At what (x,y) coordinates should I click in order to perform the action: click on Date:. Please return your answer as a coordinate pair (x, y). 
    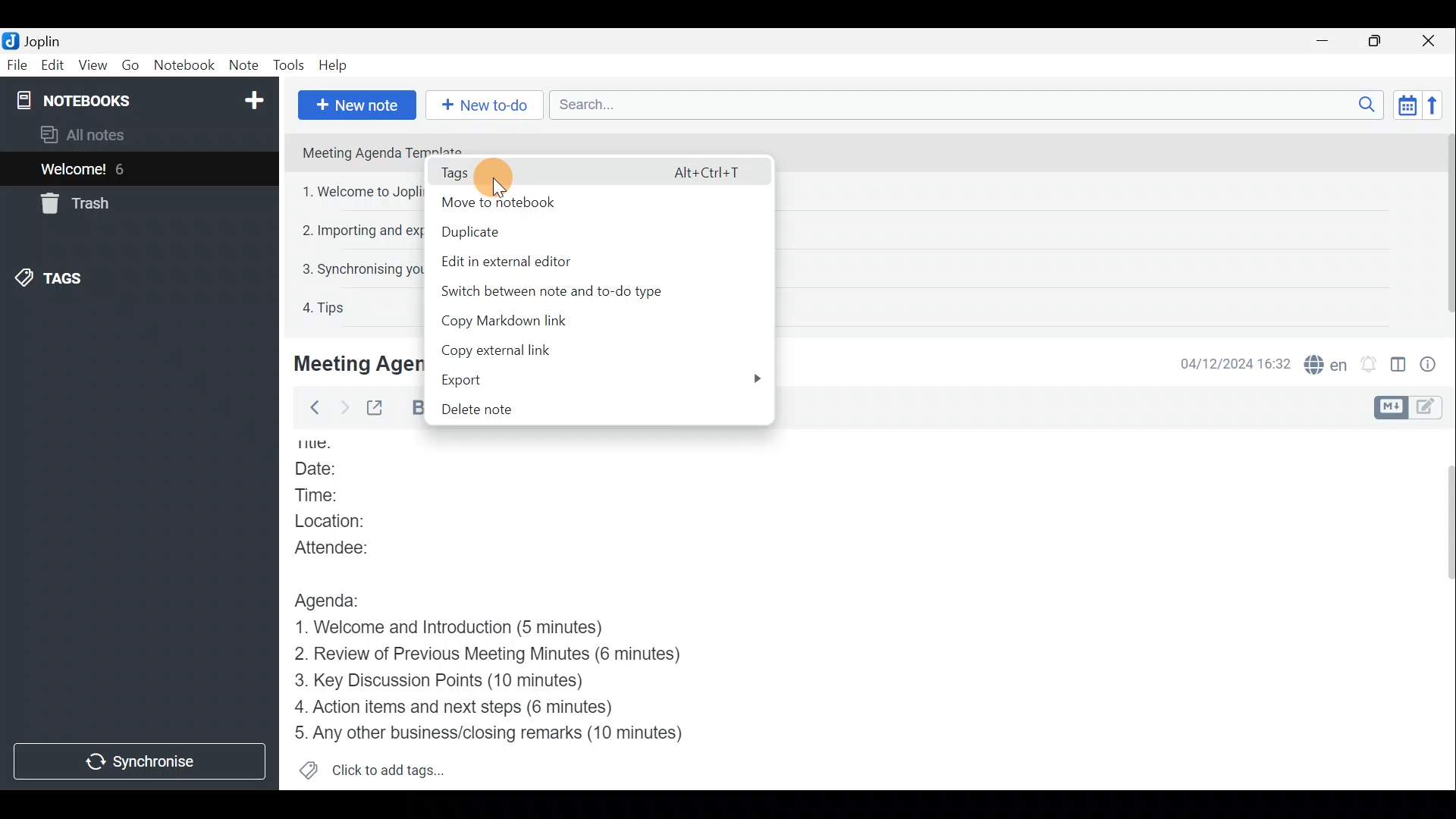
    Looking at the image, I should click on (334, 470).